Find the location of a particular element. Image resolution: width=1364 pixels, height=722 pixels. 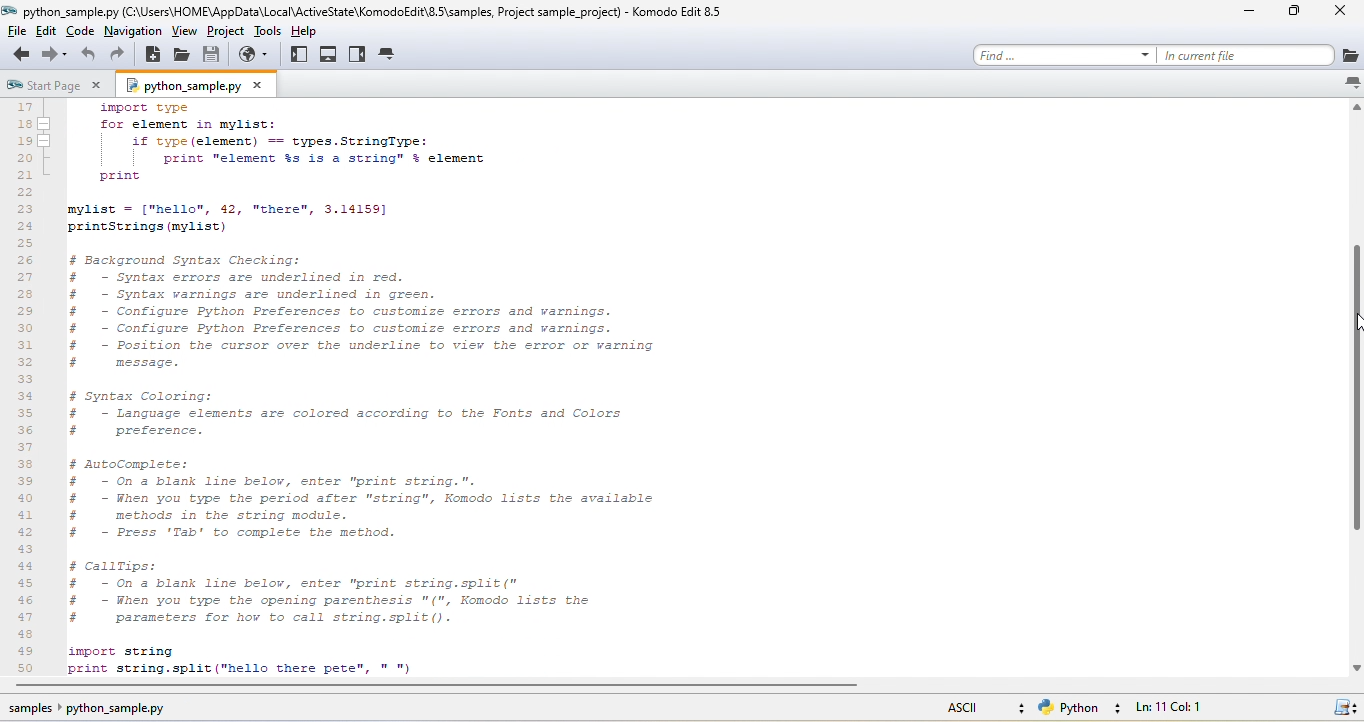

list all tabs is located at coordinates (1351, 83).